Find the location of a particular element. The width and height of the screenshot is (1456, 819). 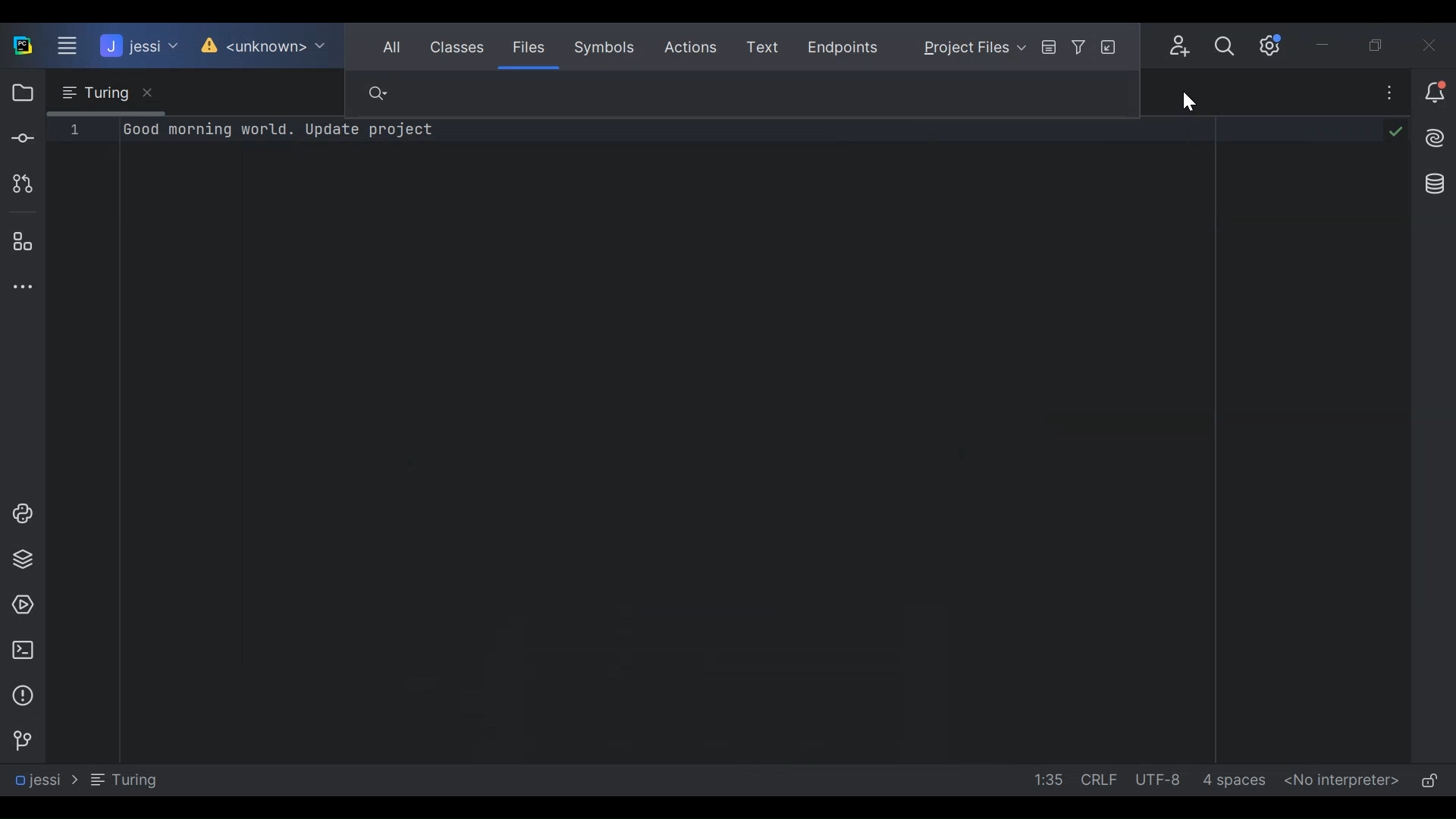

Cursor is located at coordinates (1185, 99).